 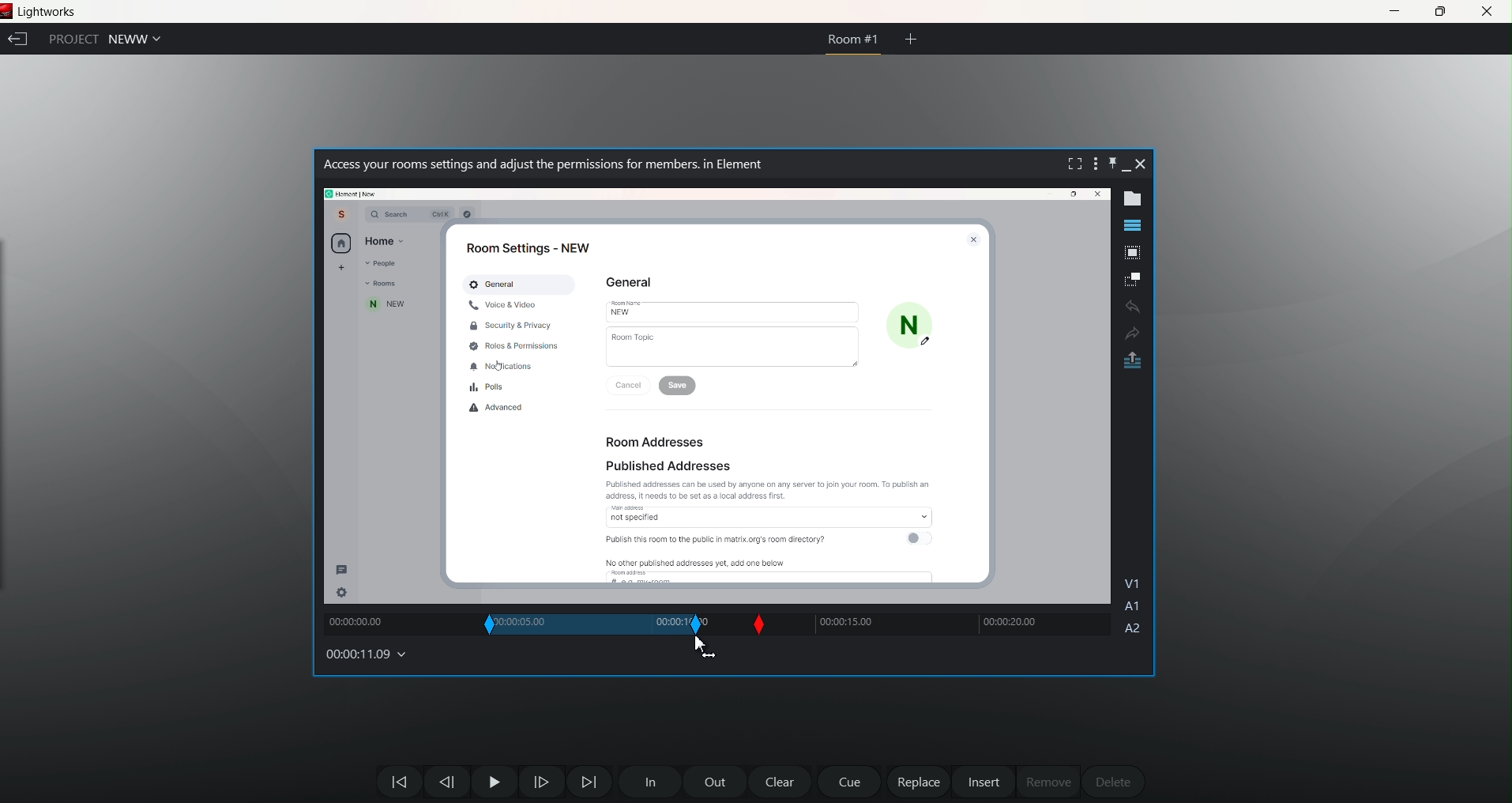 What do you see at coordinates (1145, 164) in the screenshot?
I see `close` at bounding box center [1145, 164].